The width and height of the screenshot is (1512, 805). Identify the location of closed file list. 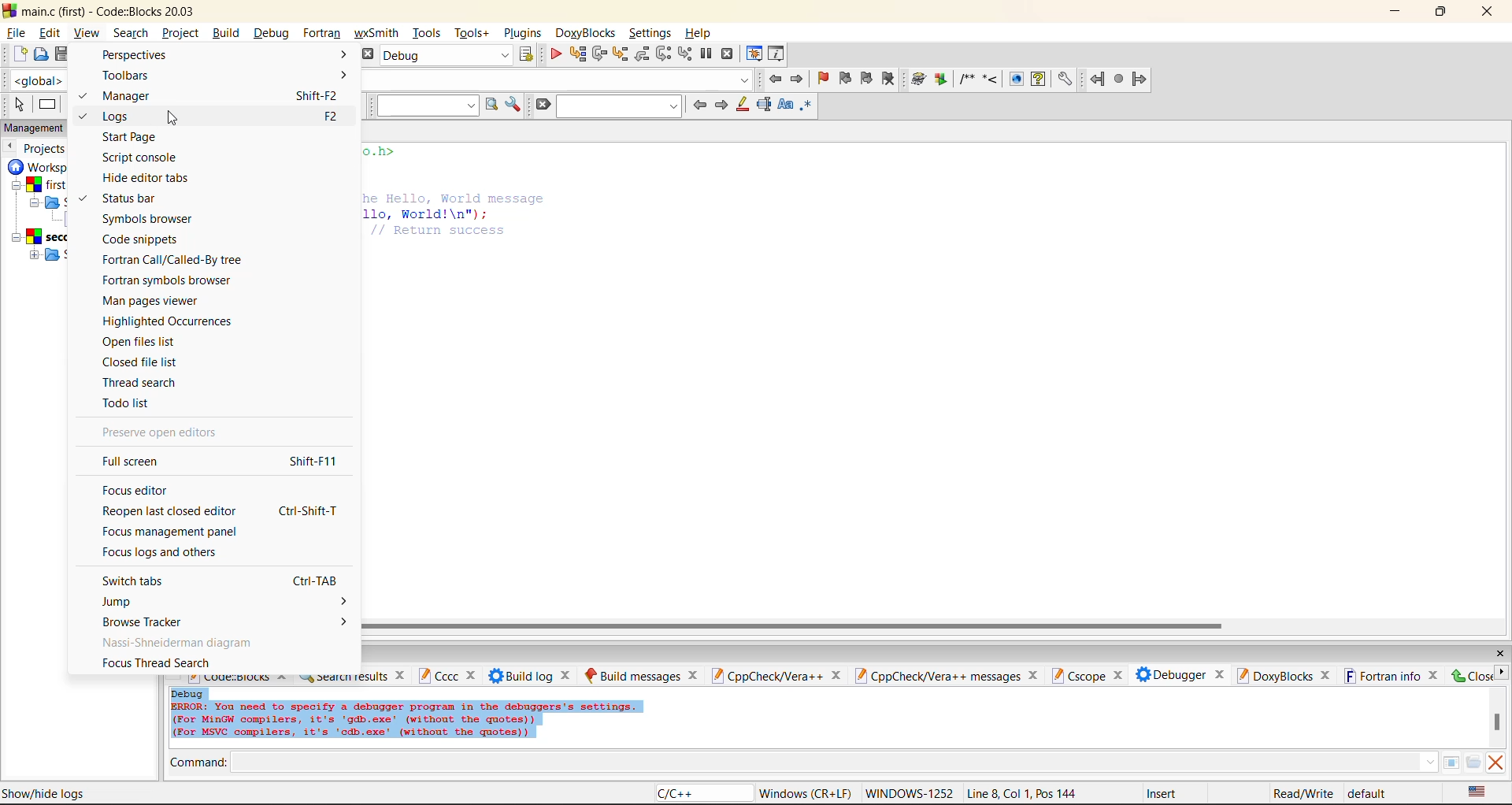
(141, 363).